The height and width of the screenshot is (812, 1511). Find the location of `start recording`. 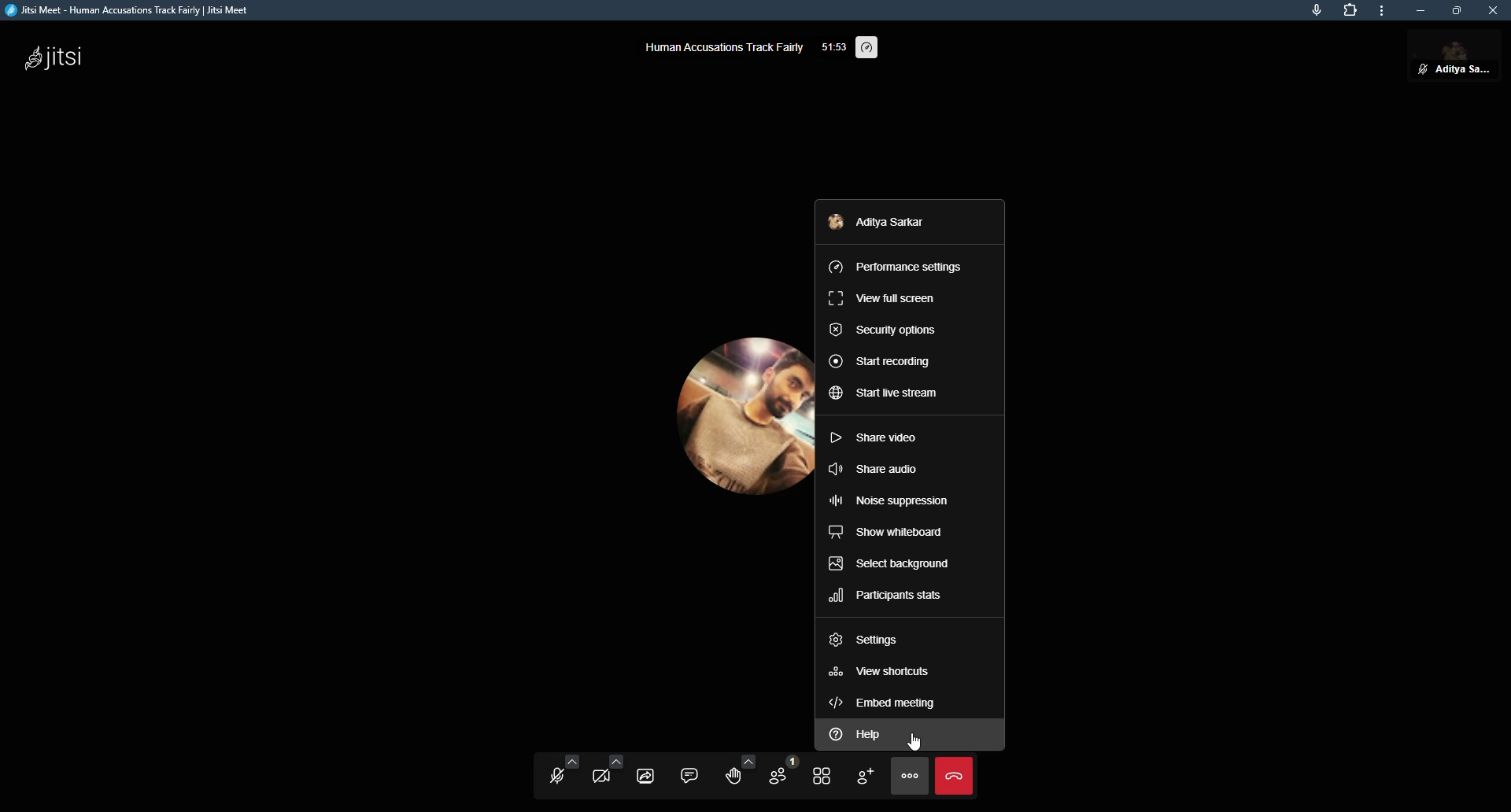

start recording is located at coordinates (885, 361).